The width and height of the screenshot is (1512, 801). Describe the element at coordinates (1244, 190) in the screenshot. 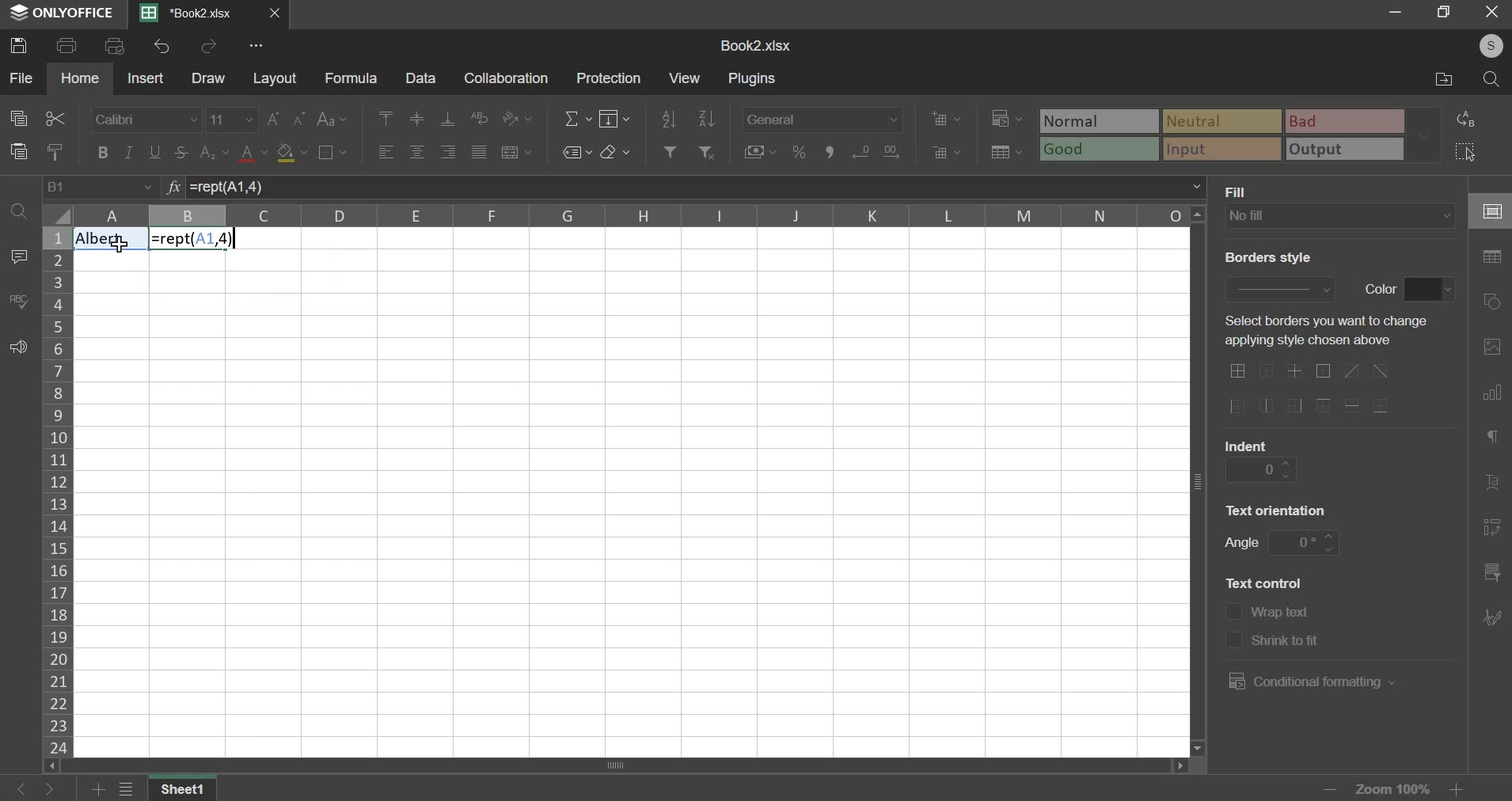

I see `text` at that location.